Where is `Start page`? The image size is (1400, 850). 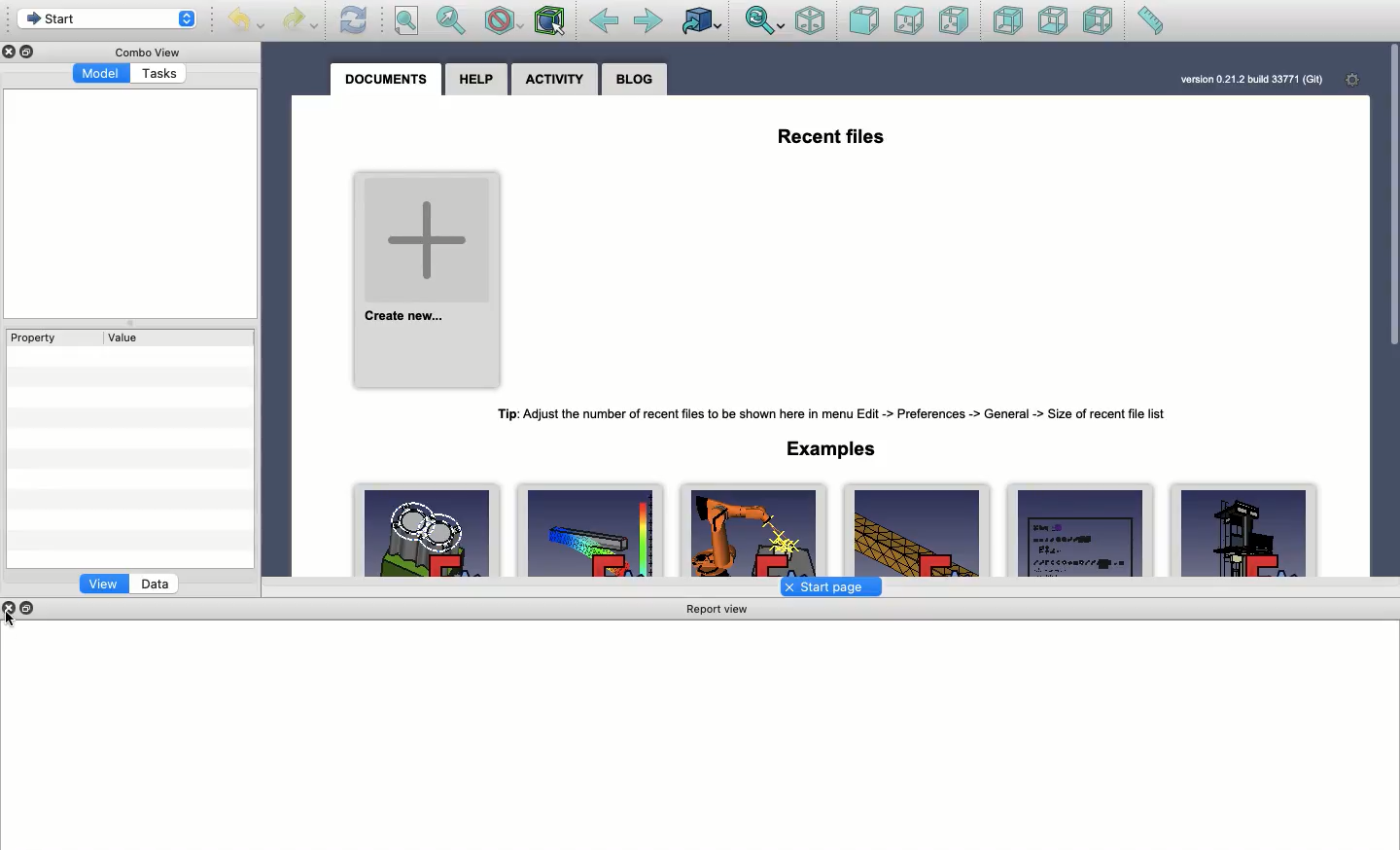 Start page is located at coordinates (830, 587).